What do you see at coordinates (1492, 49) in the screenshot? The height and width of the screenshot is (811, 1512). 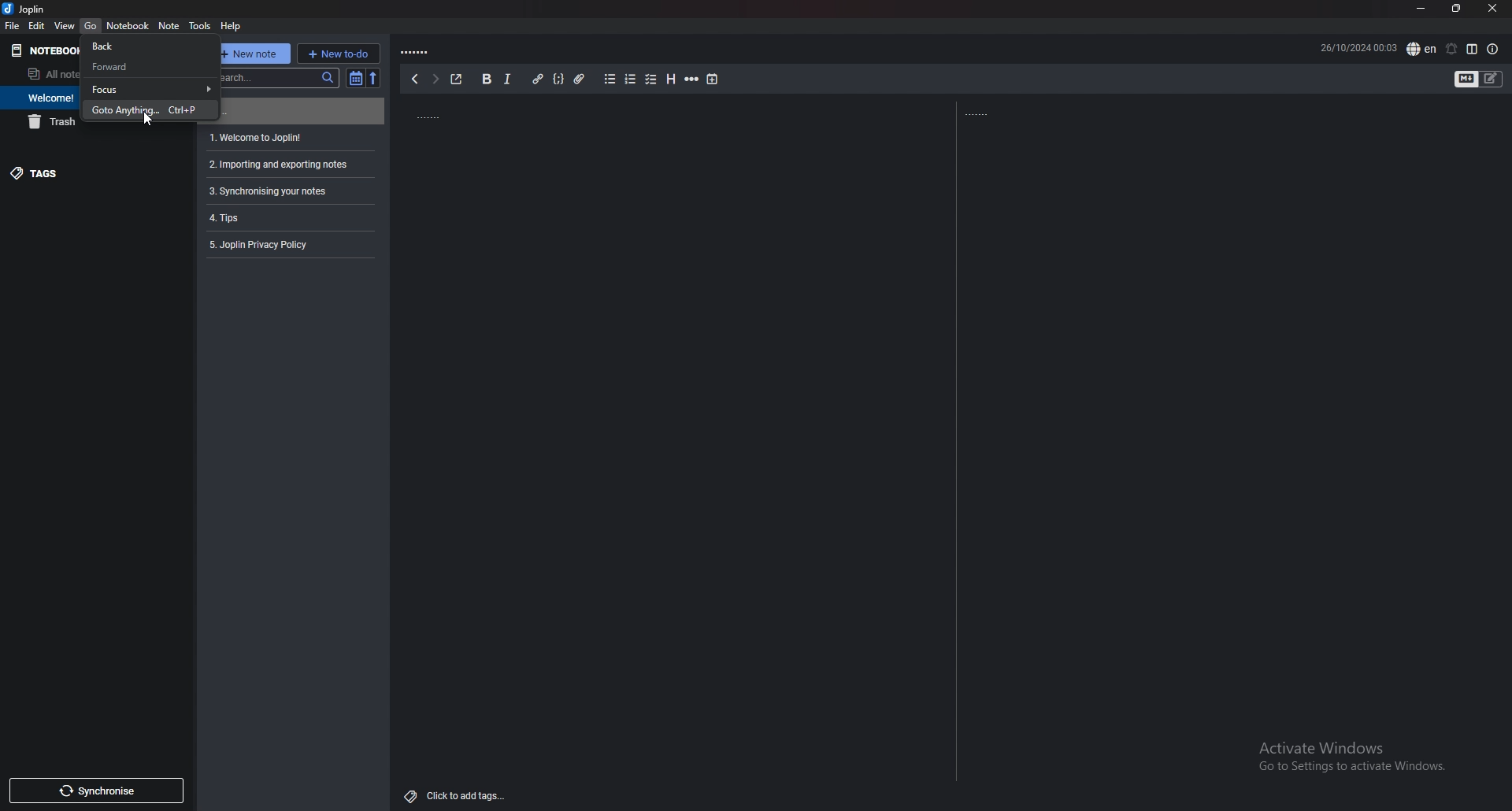 I see `note properties` at bounding box center [1492, 49].